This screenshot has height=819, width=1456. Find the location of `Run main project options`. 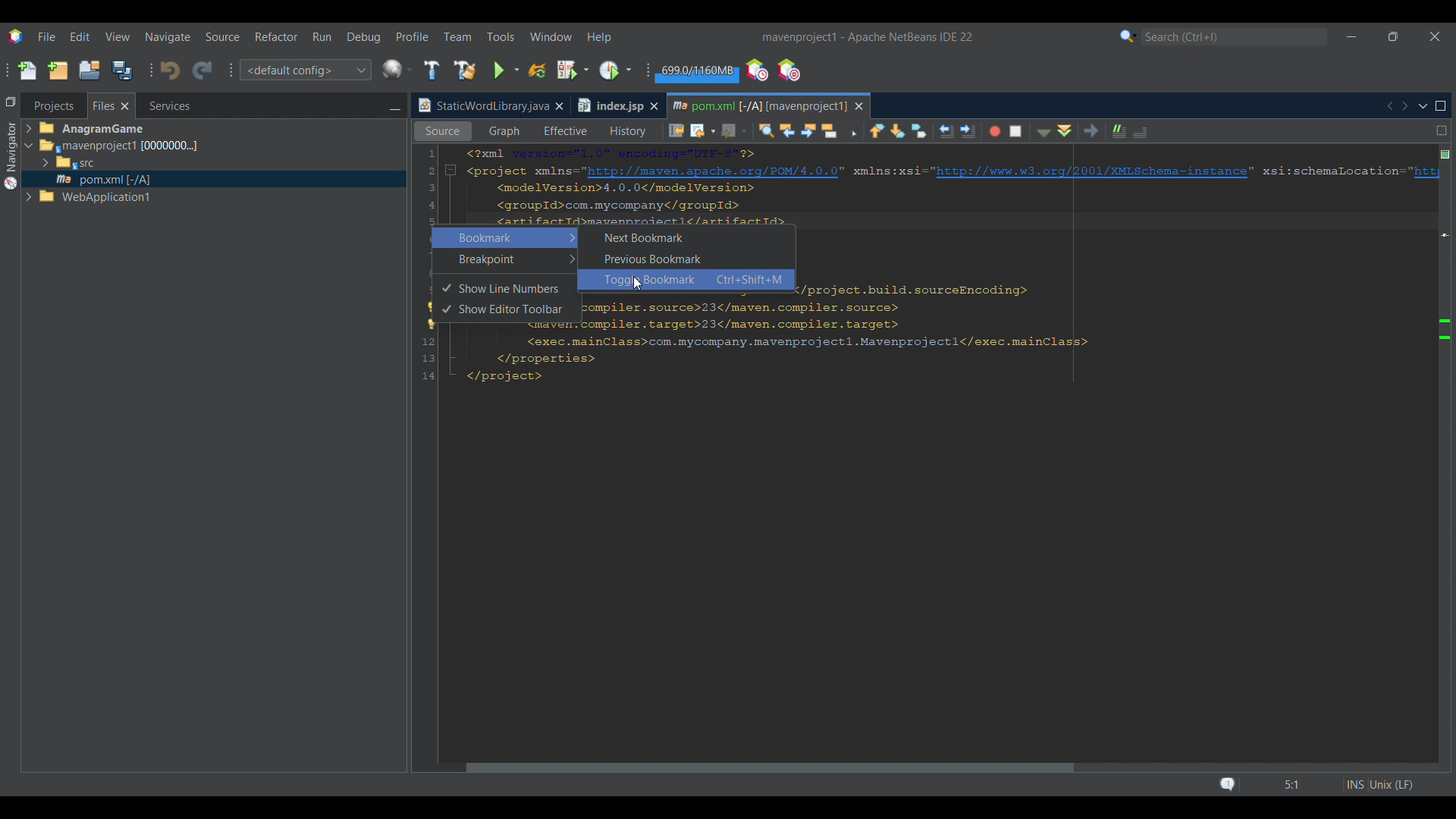

Run main project options is located at coordinates (507, 71).